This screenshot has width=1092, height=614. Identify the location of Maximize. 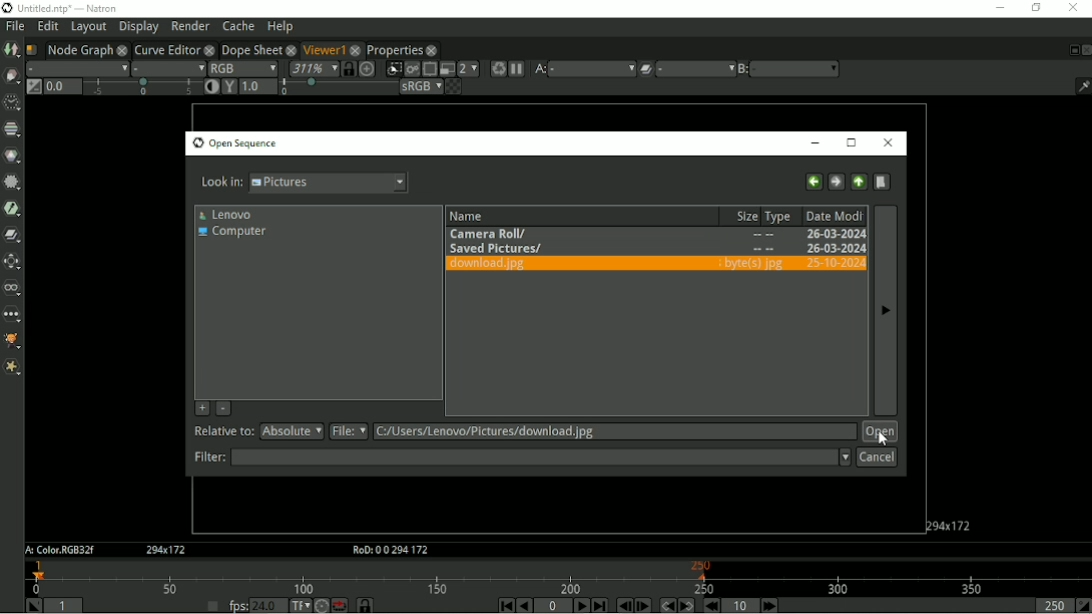
(852, 143).